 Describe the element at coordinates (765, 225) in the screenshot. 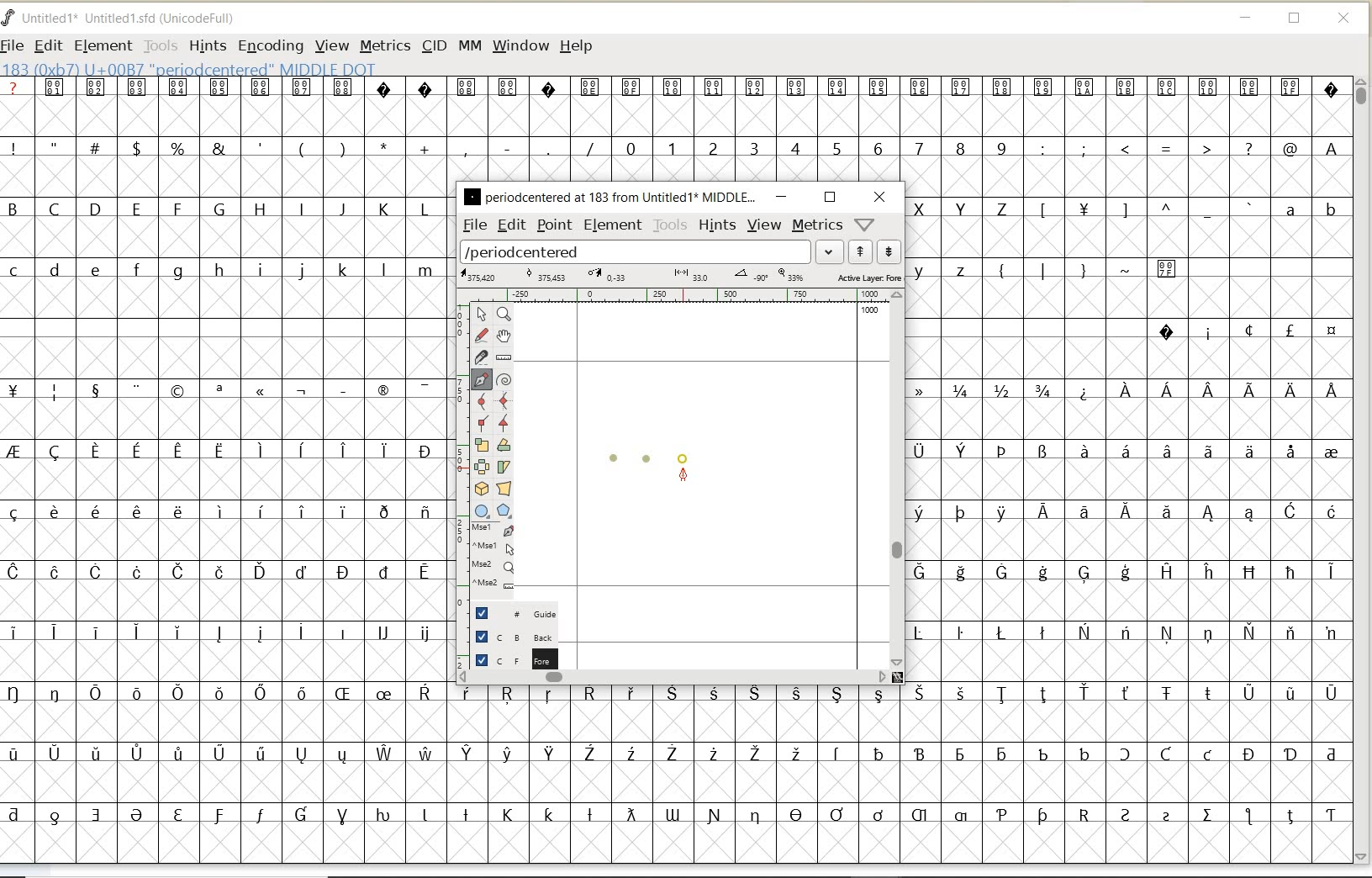

I see `view` at that location.